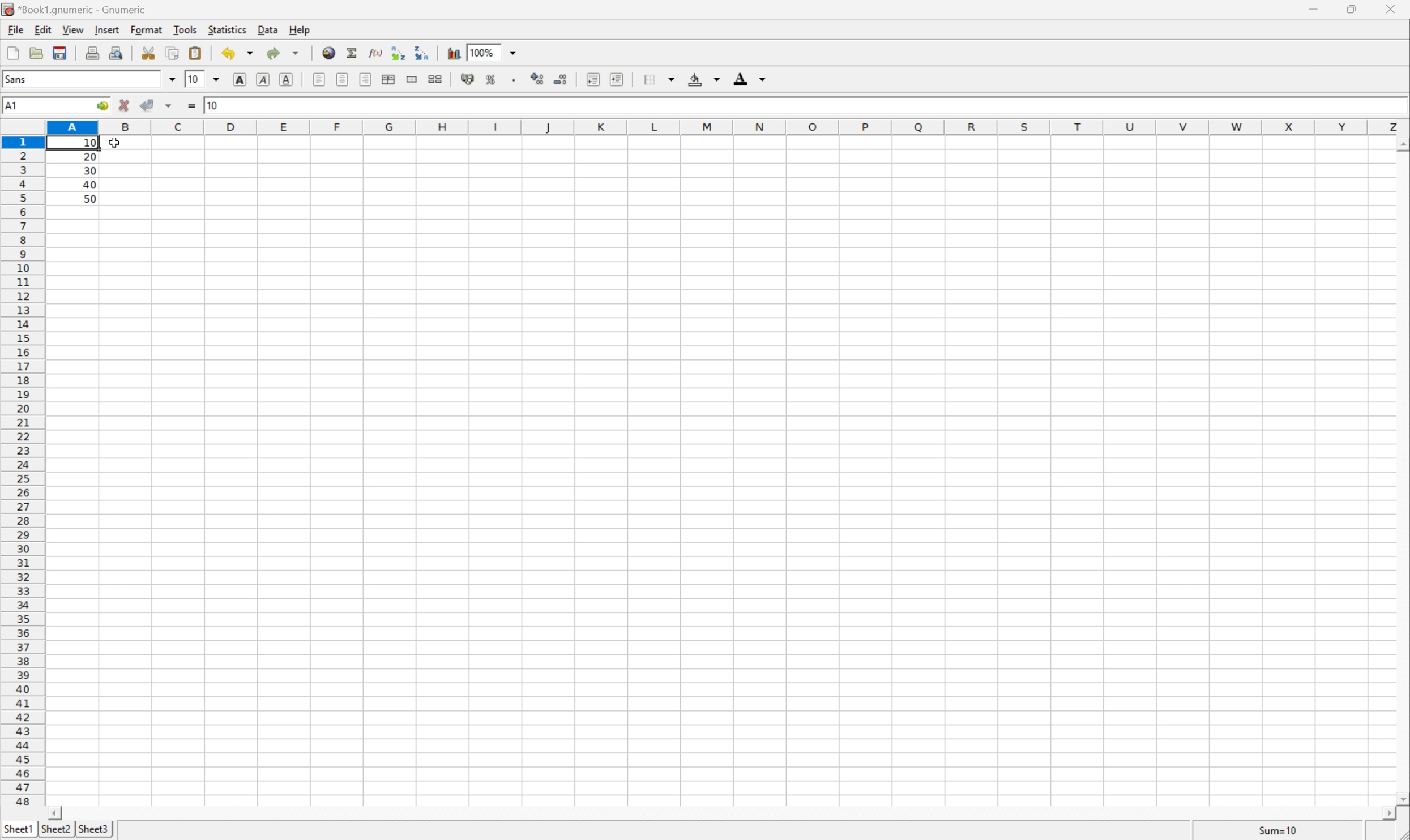 This screenshot has height=840, width=1410. What do you see at coordinates (510, 80) in the screenshot?
I see `Set the format of the selected cells to include a thousands separator` at bounding box center [510, 80].